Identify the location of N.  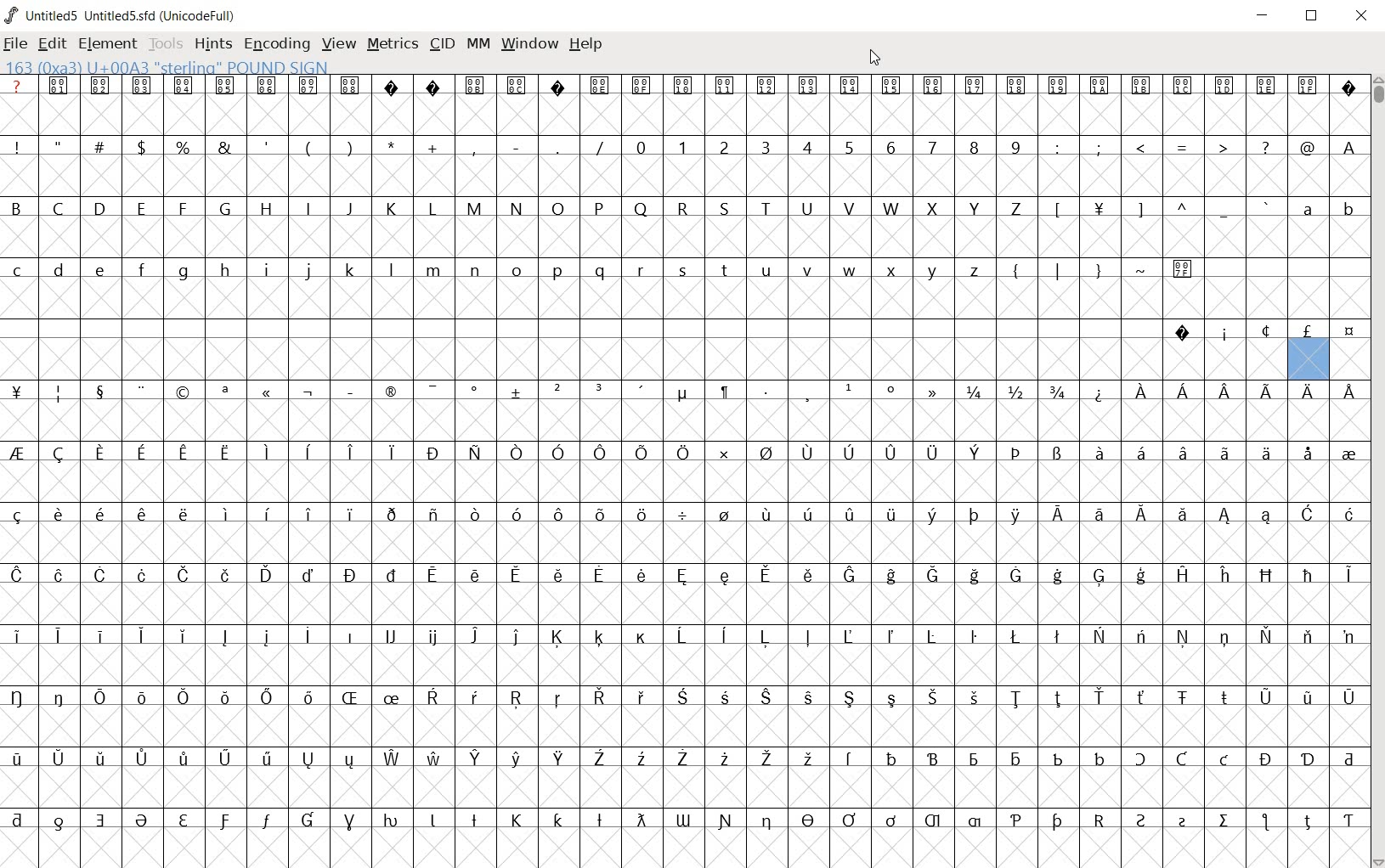
(514, 207).